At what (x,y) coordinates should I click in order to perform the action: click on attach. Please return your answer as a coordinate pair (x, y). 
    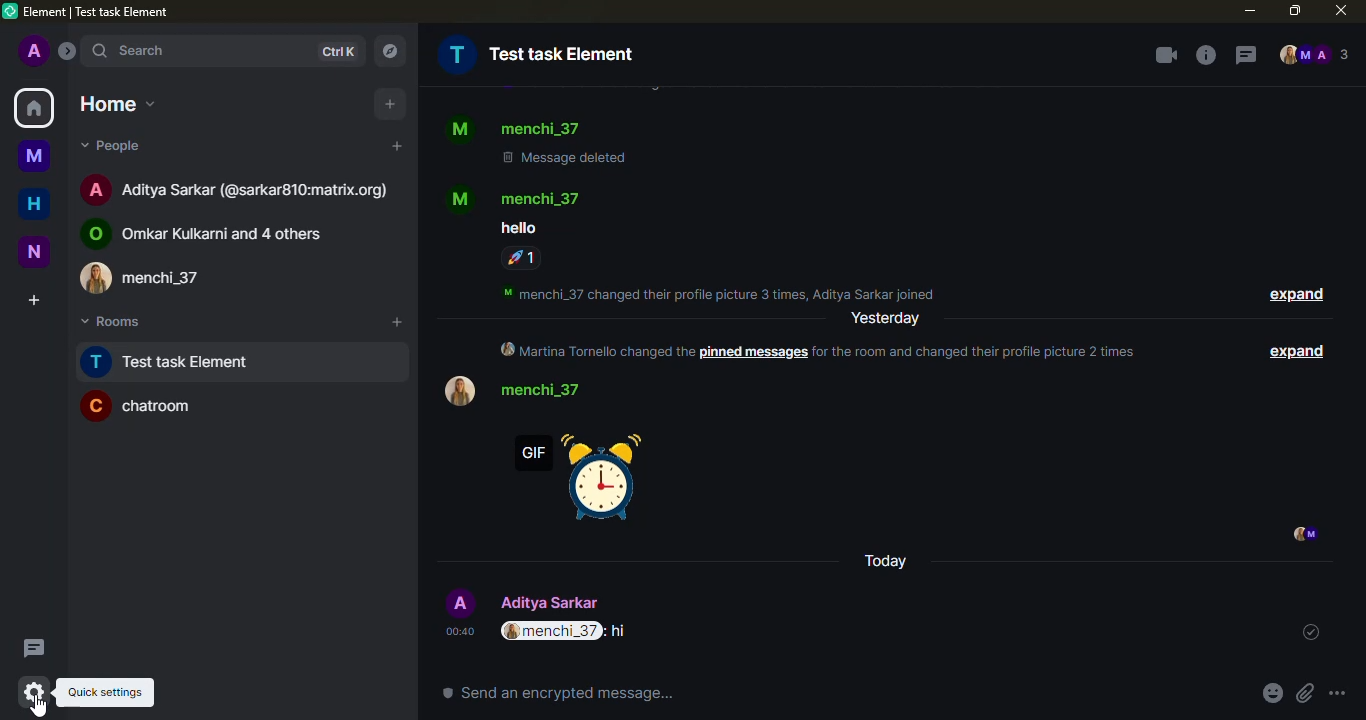
    Looking at the image, I should click on (1304, 694).